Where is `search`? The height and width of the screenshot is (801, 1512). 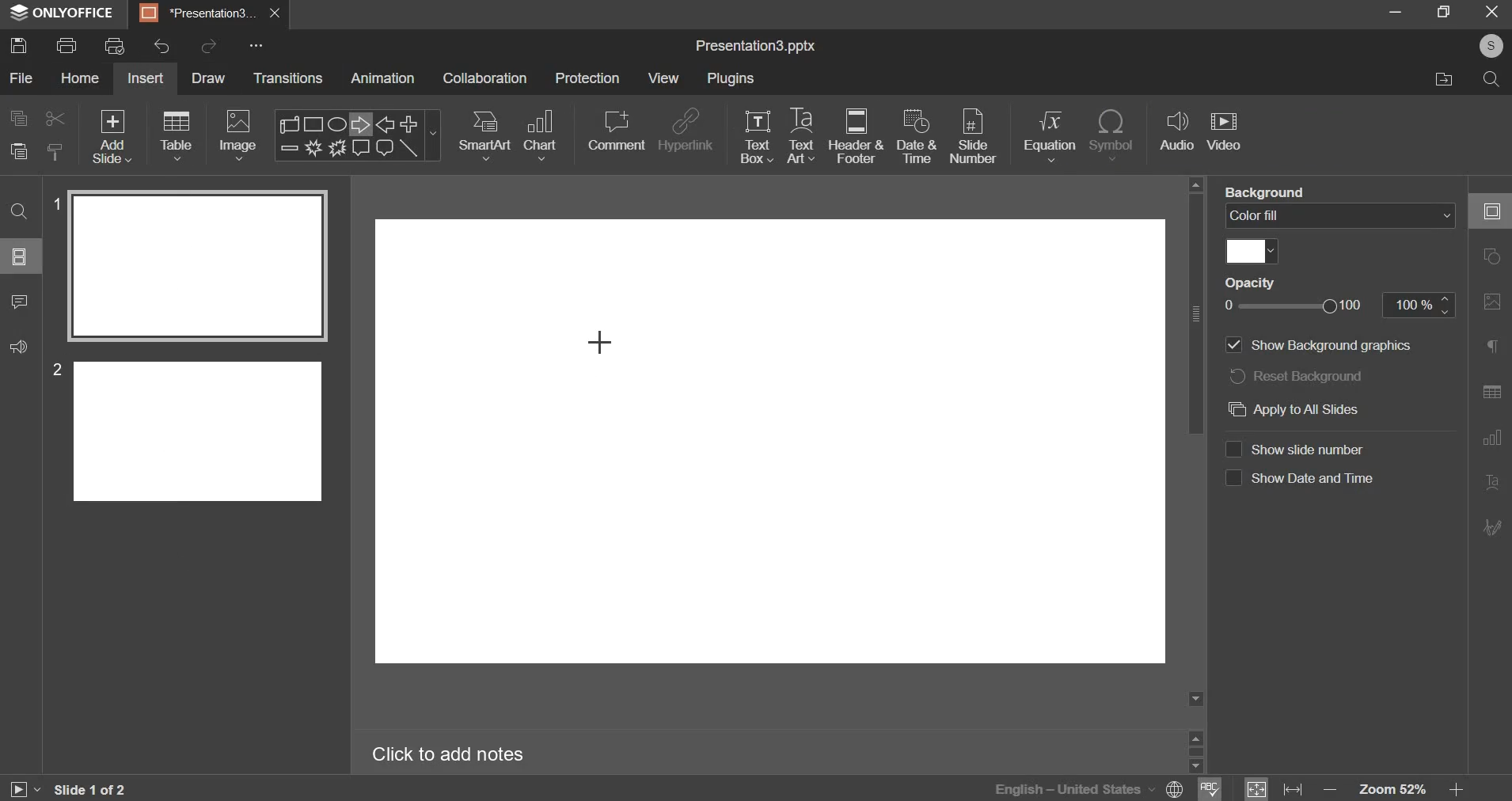
search is located at coordinates (1494, 82).